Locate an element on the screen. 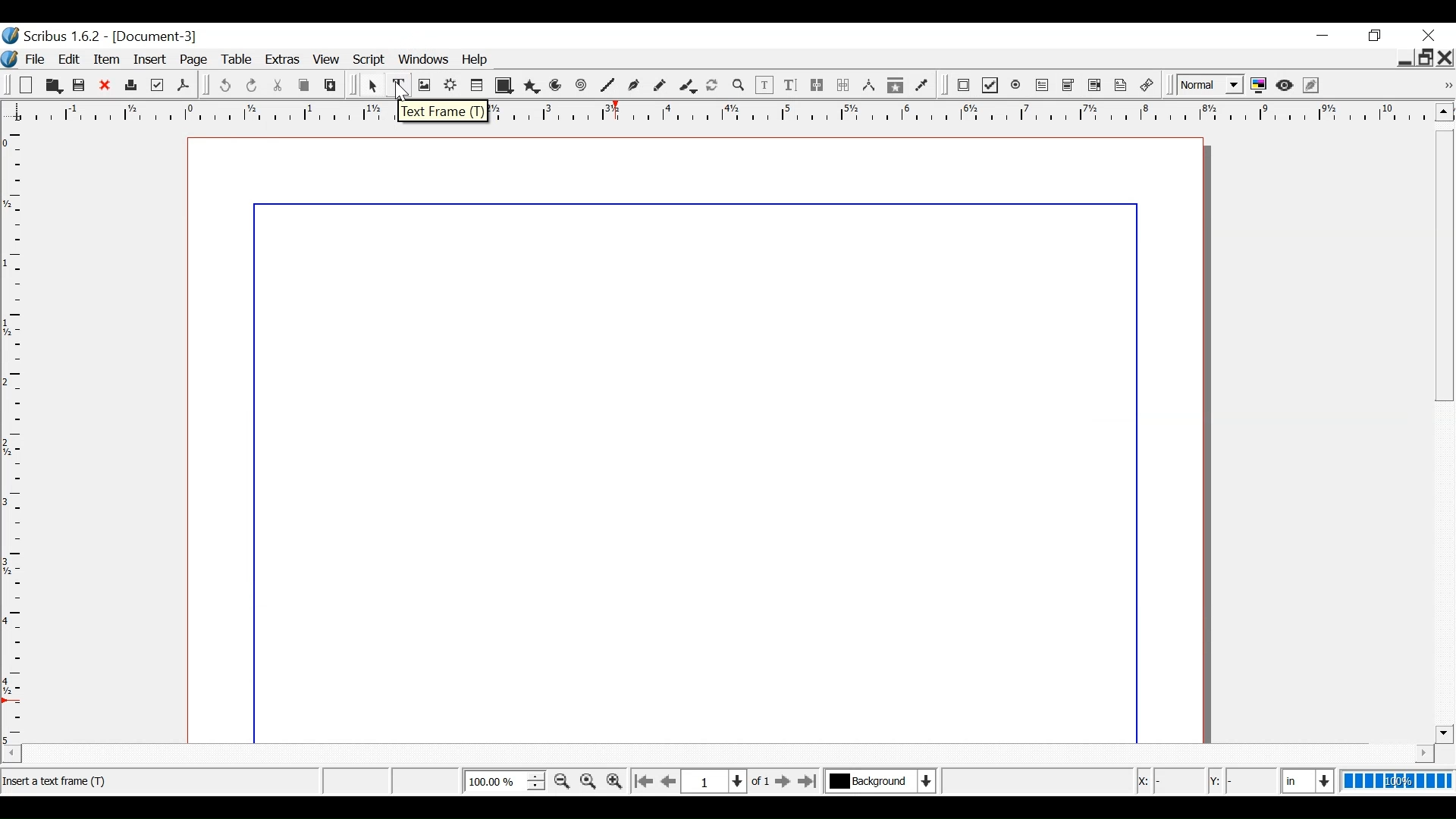 This screenshot has height=819, width=1456. PDF List Box is located at coordinates (1095, 85).